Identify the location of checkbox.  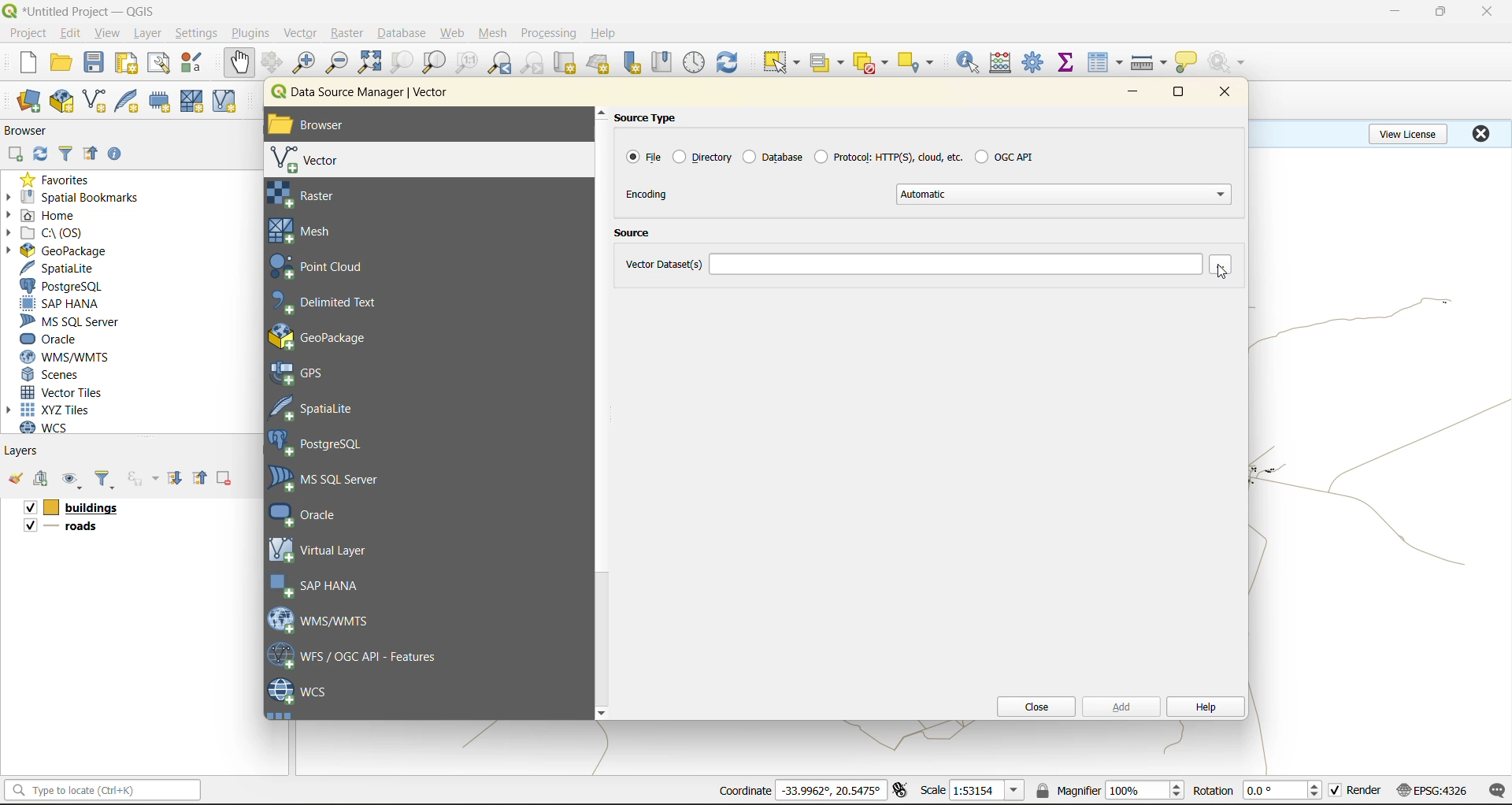
(1336, 791).